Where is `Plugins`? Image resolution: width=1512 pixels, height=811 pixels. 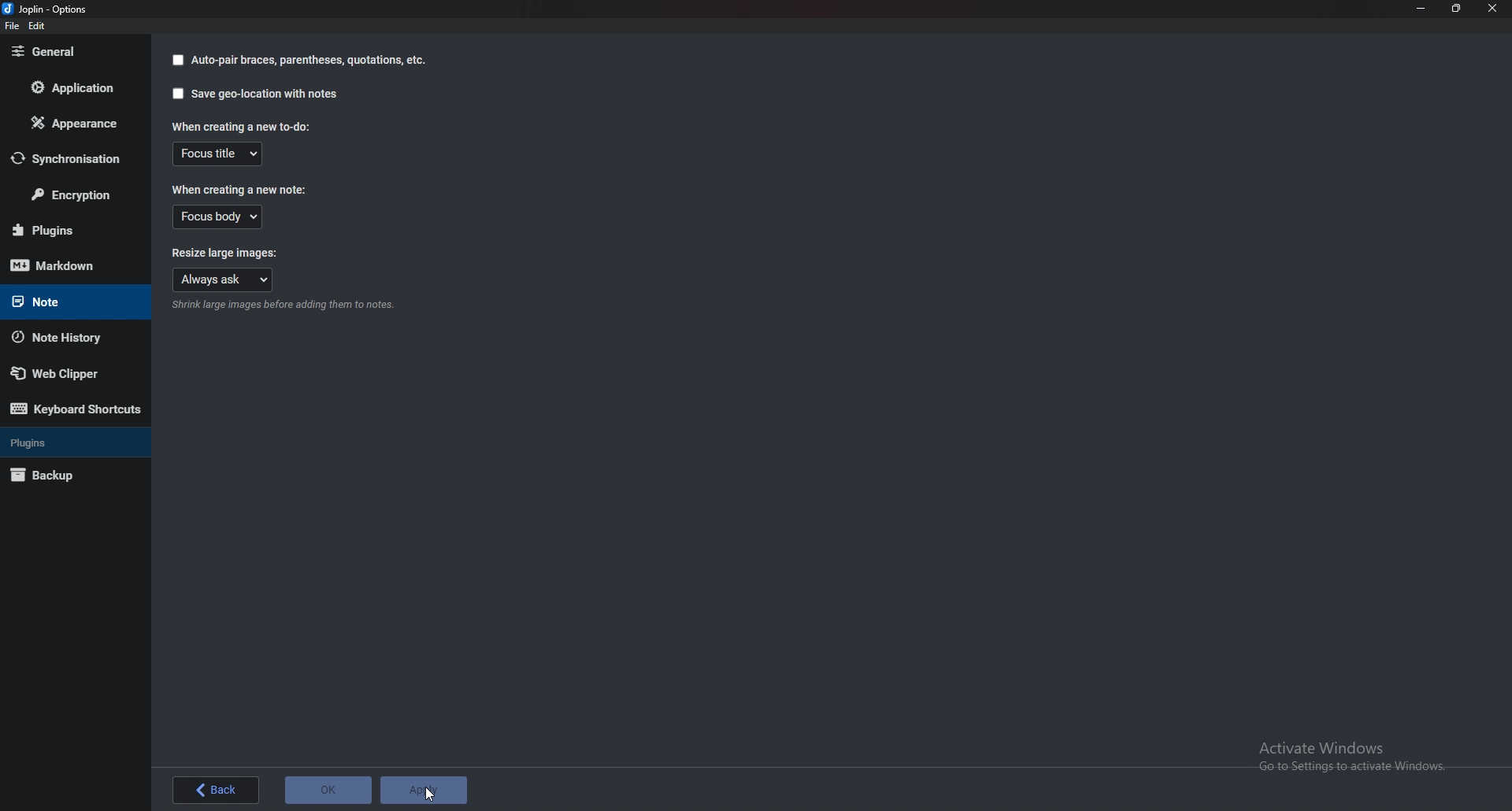 Plugins is located at coordinates (69, 230).